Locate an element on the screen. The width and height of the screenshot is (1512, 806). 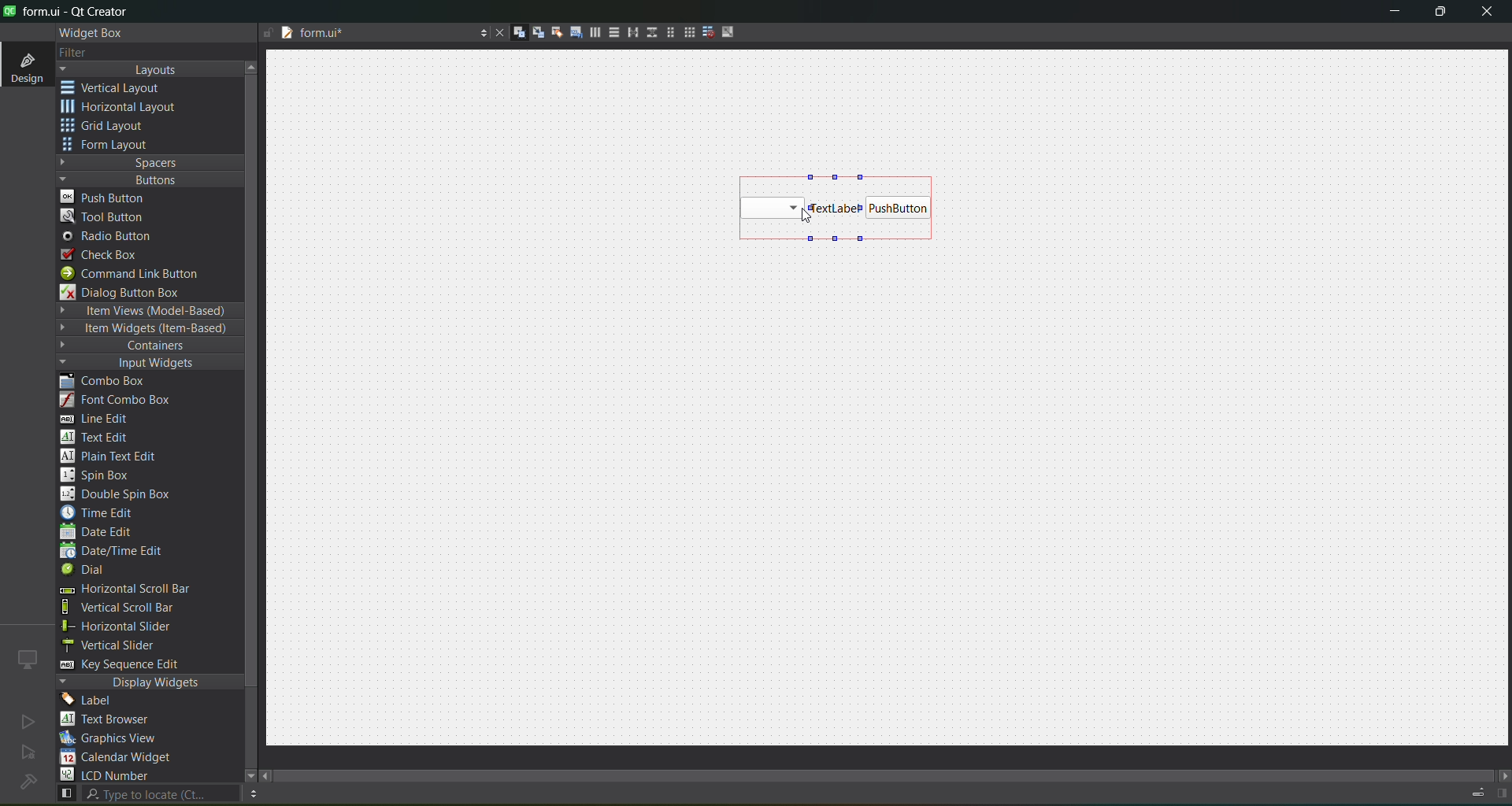
tab name is located at coordinates (373, 34).